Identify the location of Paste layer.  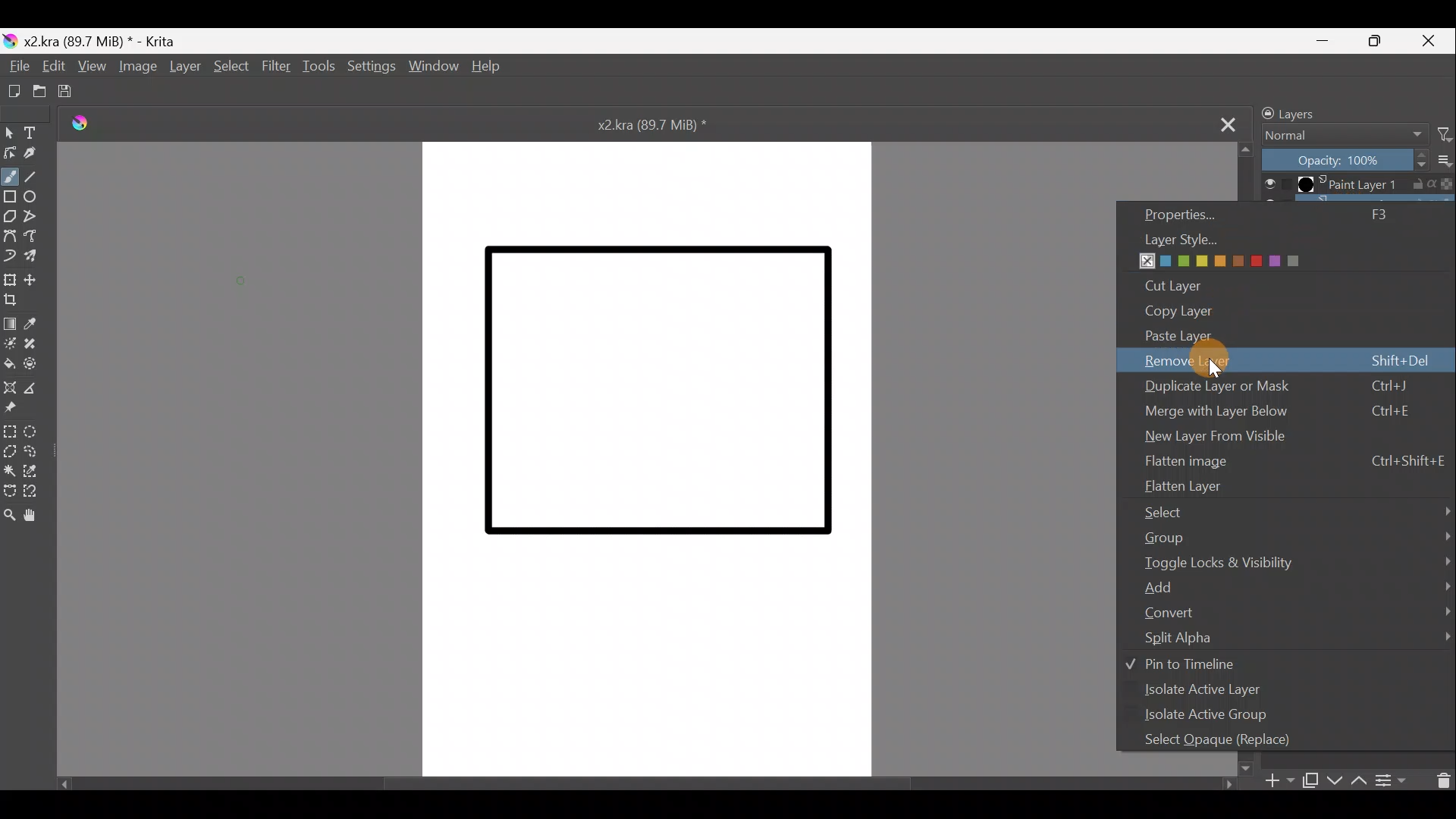
(1264, 334).